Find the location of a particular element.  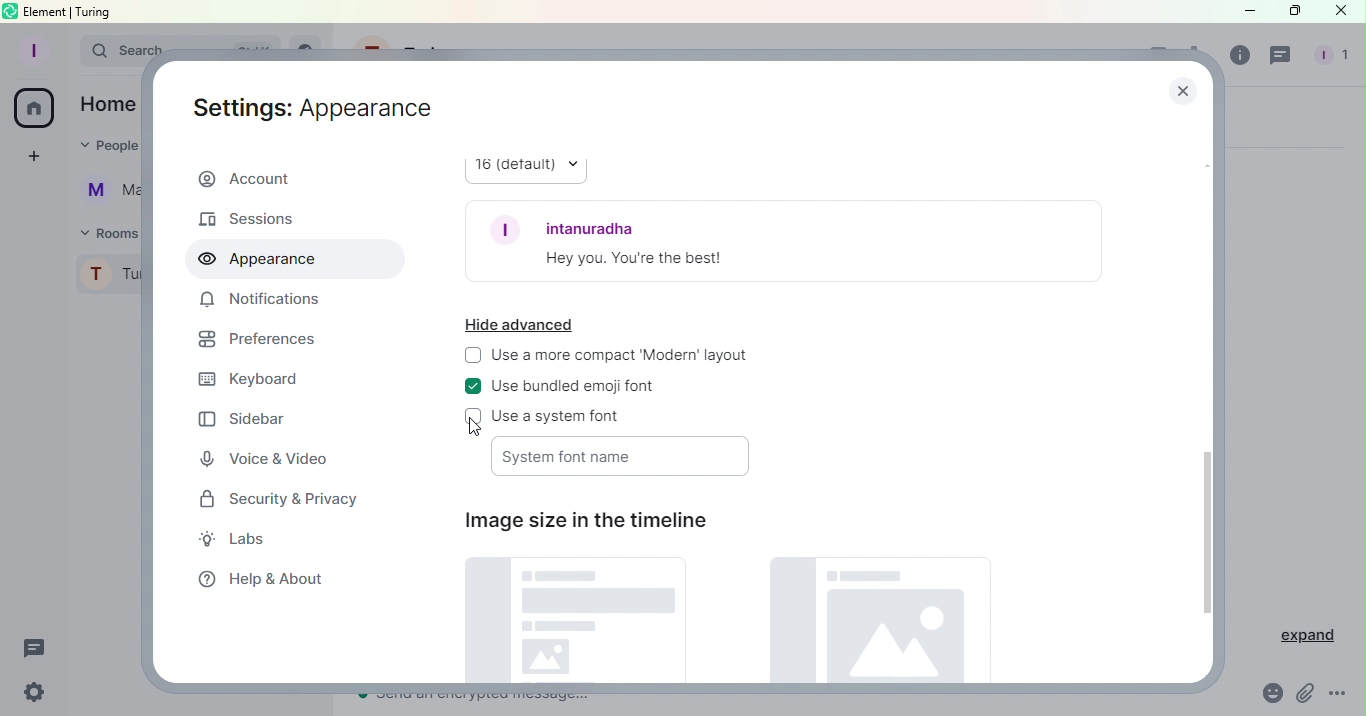

Font example is located at coordinates (786, 238).